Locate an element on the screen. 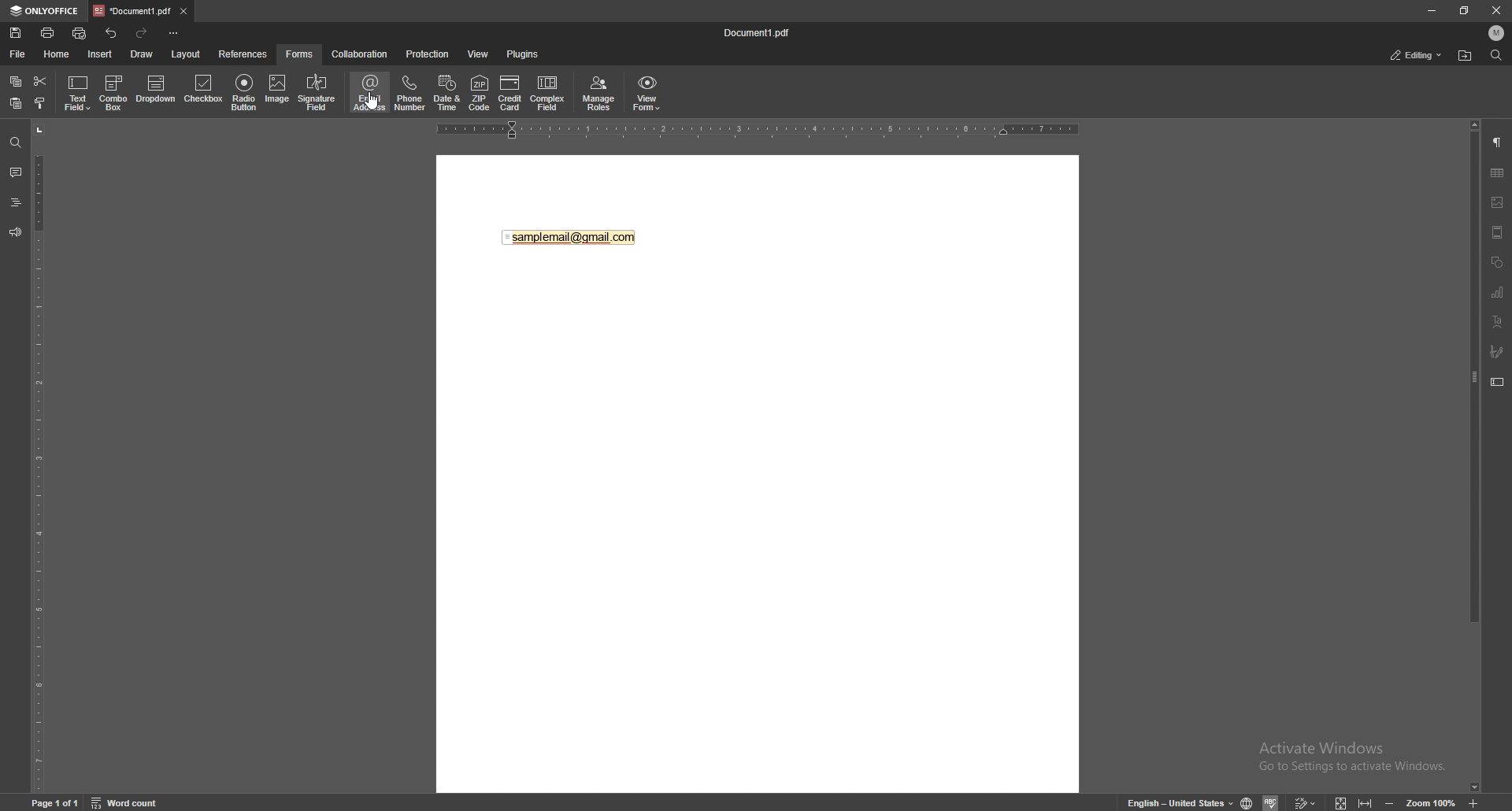 This screenshot has width=1512, height=811. checkbox is located at coordinates (205, 90).